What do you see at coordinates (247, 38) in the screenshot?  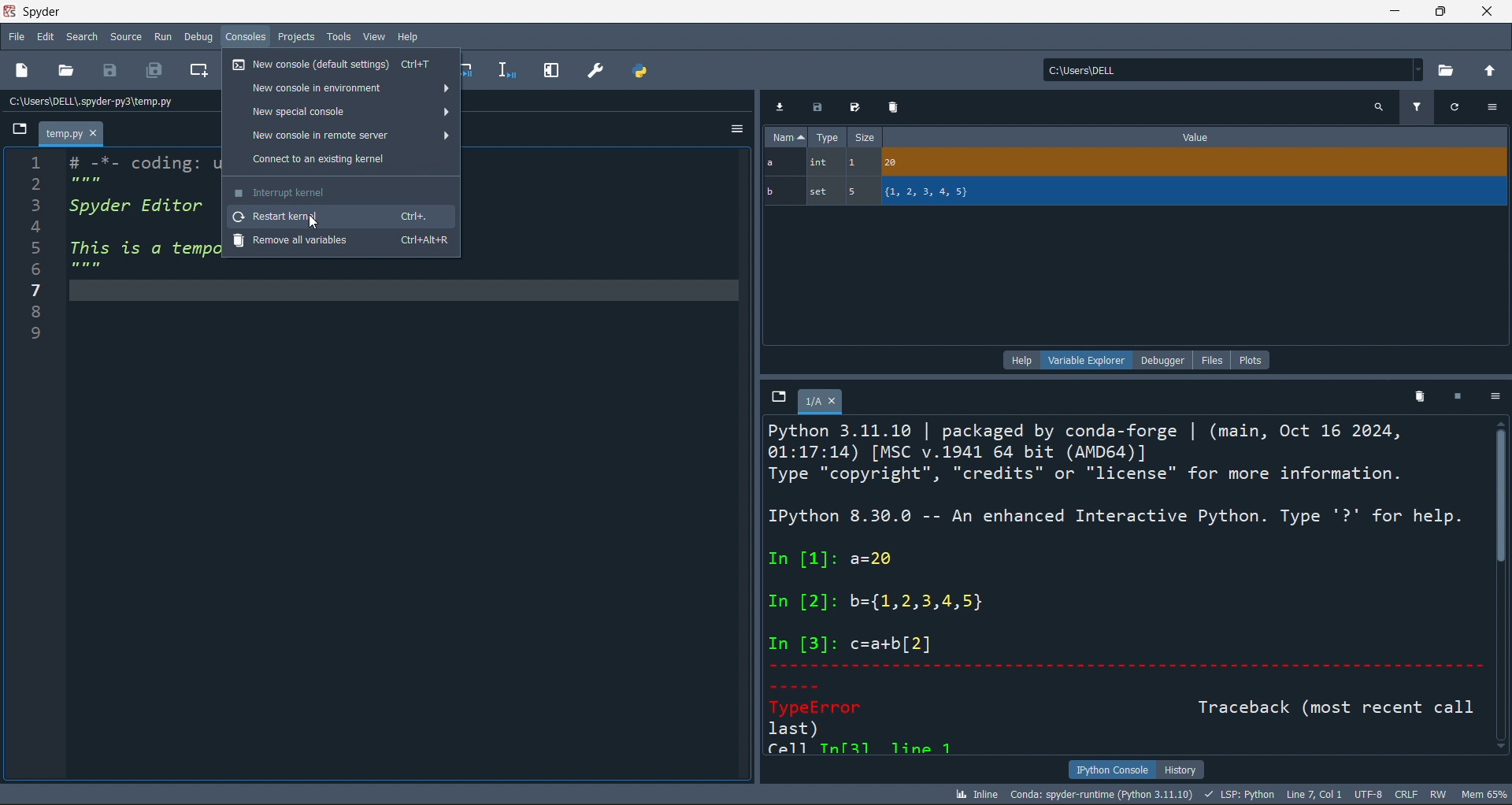 I see `Consoles` at bounding box center [247, 38].